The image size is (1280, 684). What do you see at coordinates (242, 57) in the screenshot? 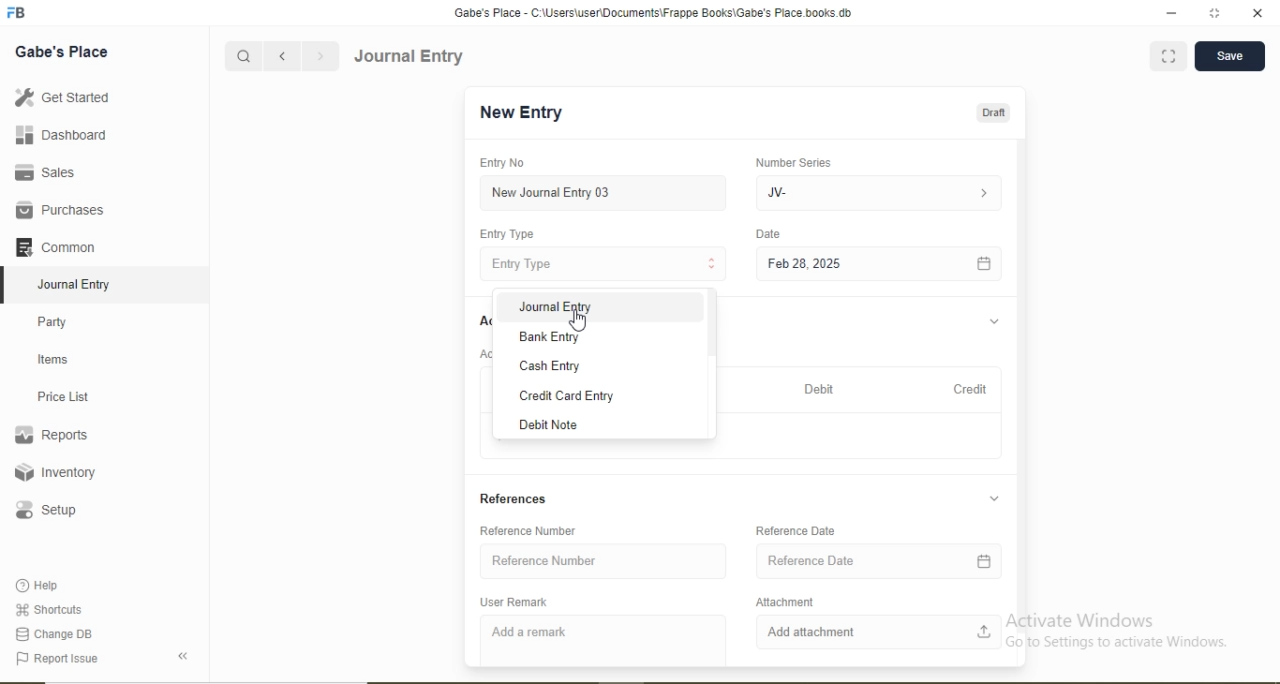
I see `Search` at bounding box center [242, 57].